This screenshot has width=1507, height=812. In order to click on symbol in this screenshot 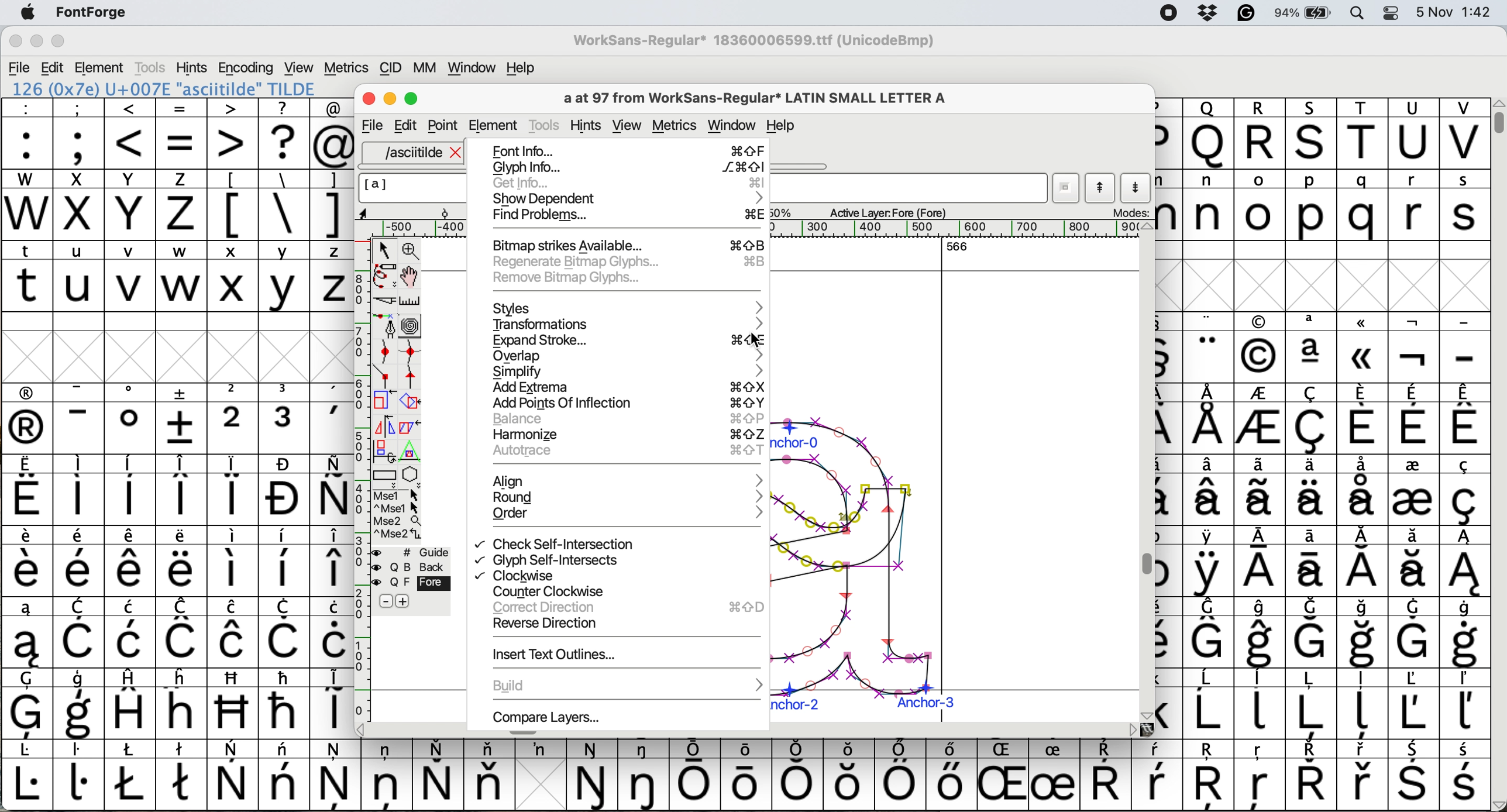, I will do `click(1315, 489)`.